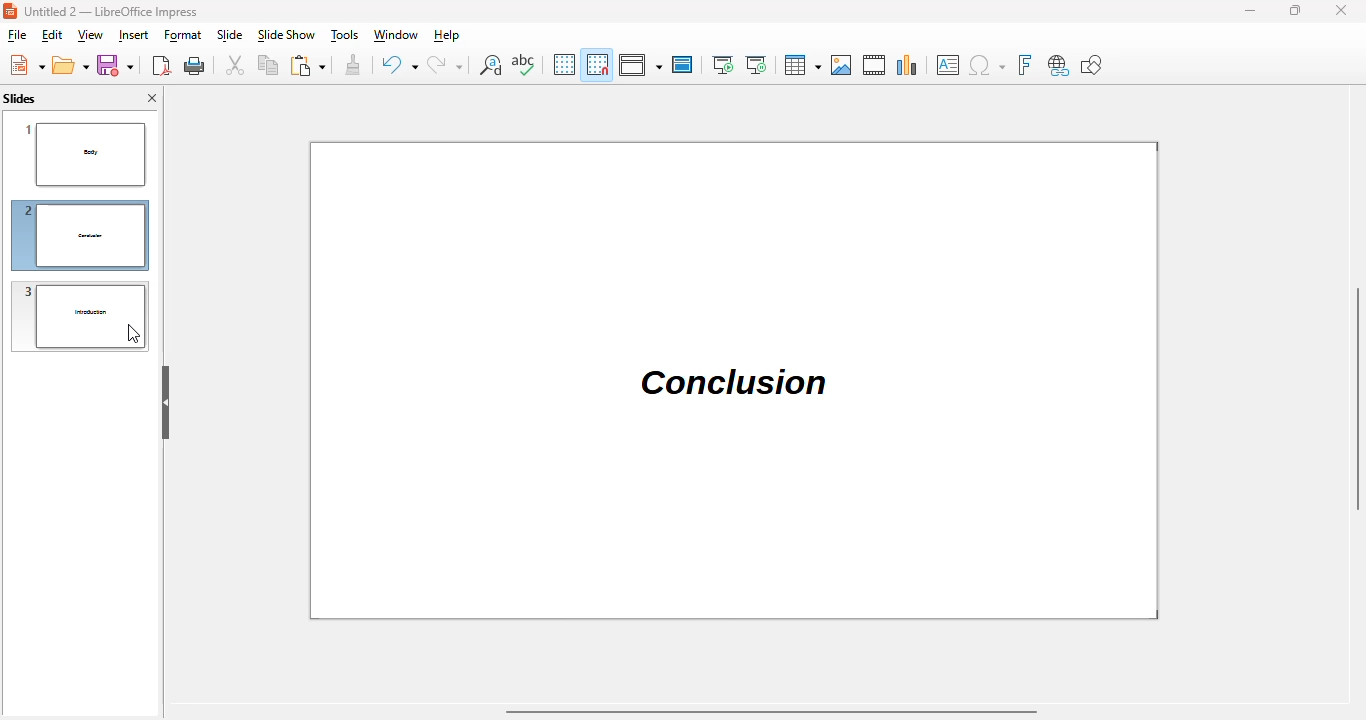 The height and width of the screenshot is (720, 1366). What do you see at coordinates (134, 35) in the screenshot?
I see `insert` at bounding box center [134, 35].